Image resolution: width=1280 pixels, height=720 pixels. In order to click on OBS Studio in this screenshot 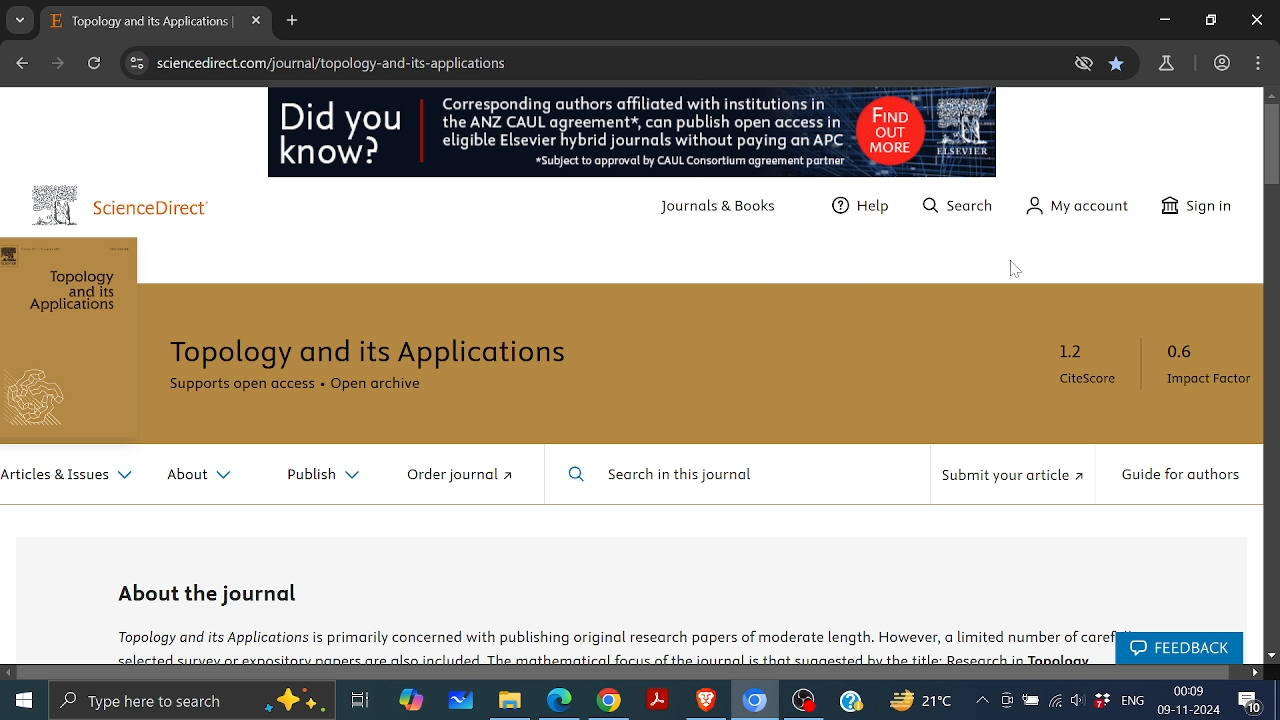, I will do `click(806, 702)`.